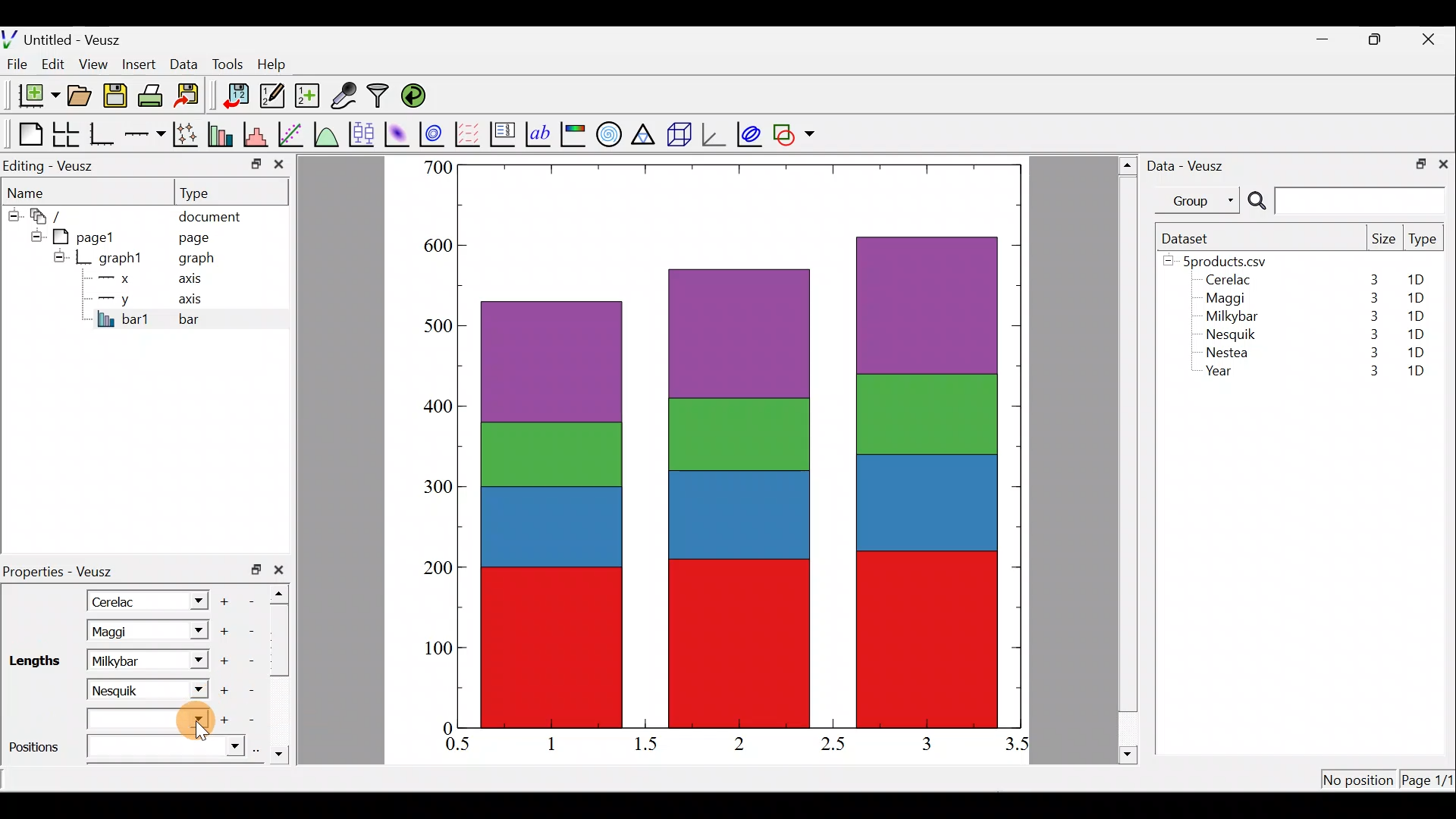 This screenshot has height=819, width=1456. I want to click on 100, so click(433, 651).